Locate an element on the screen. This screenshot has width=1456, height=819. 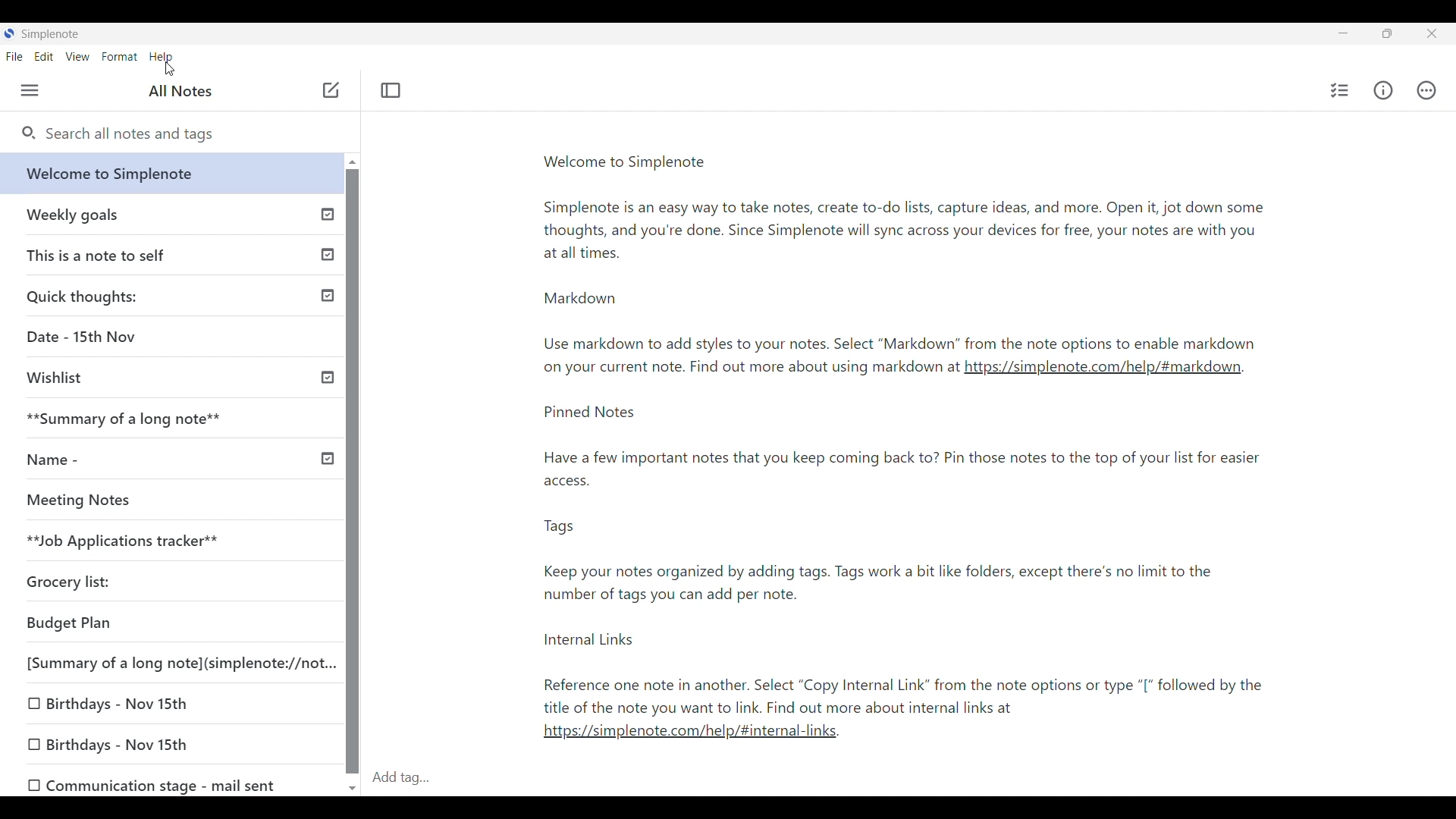
This is a note to self is located at coordinates (152, 262).